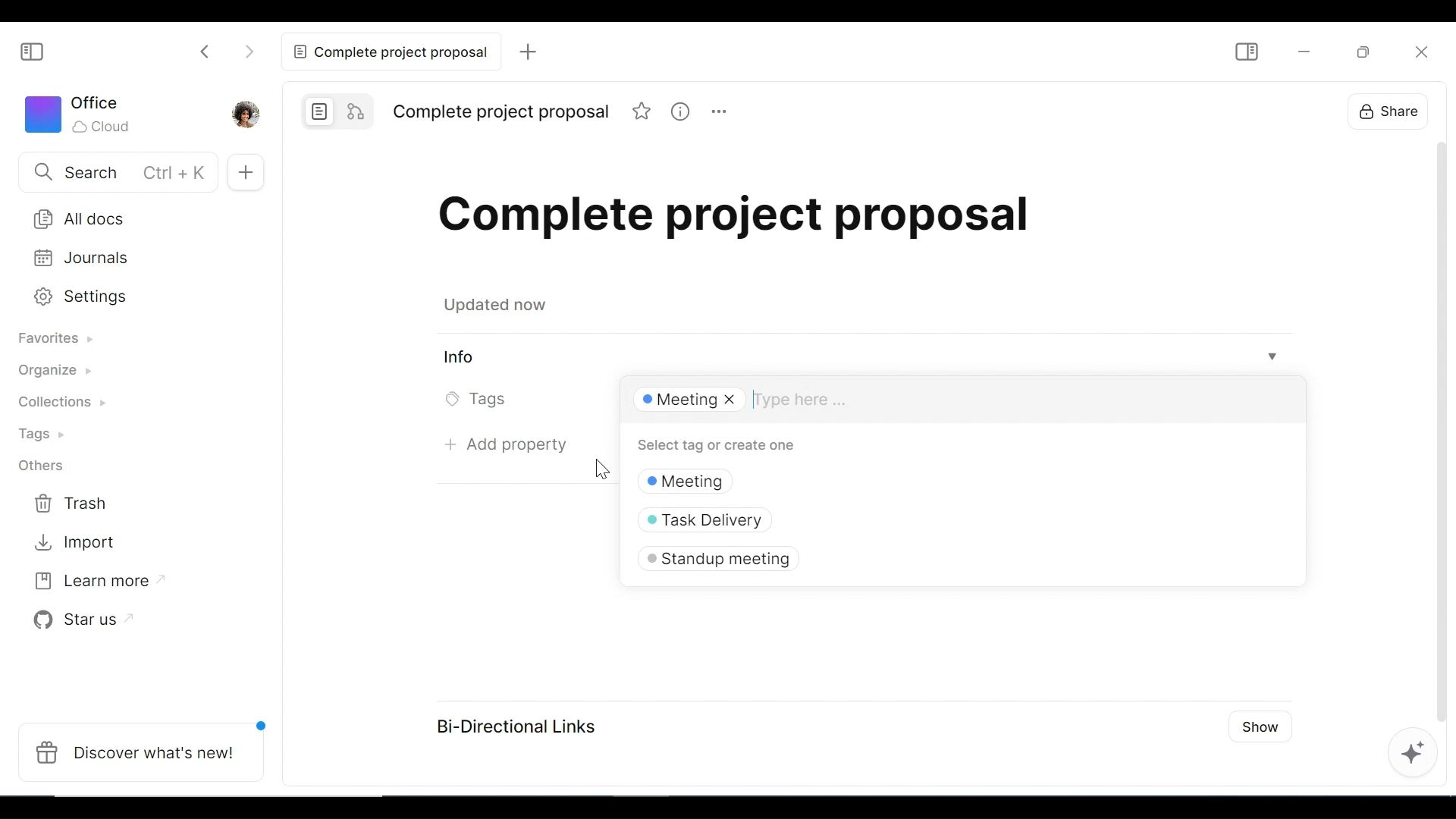 This screenshot has height=819, width=1456. I want to click on Restore, so click(1361, 51).